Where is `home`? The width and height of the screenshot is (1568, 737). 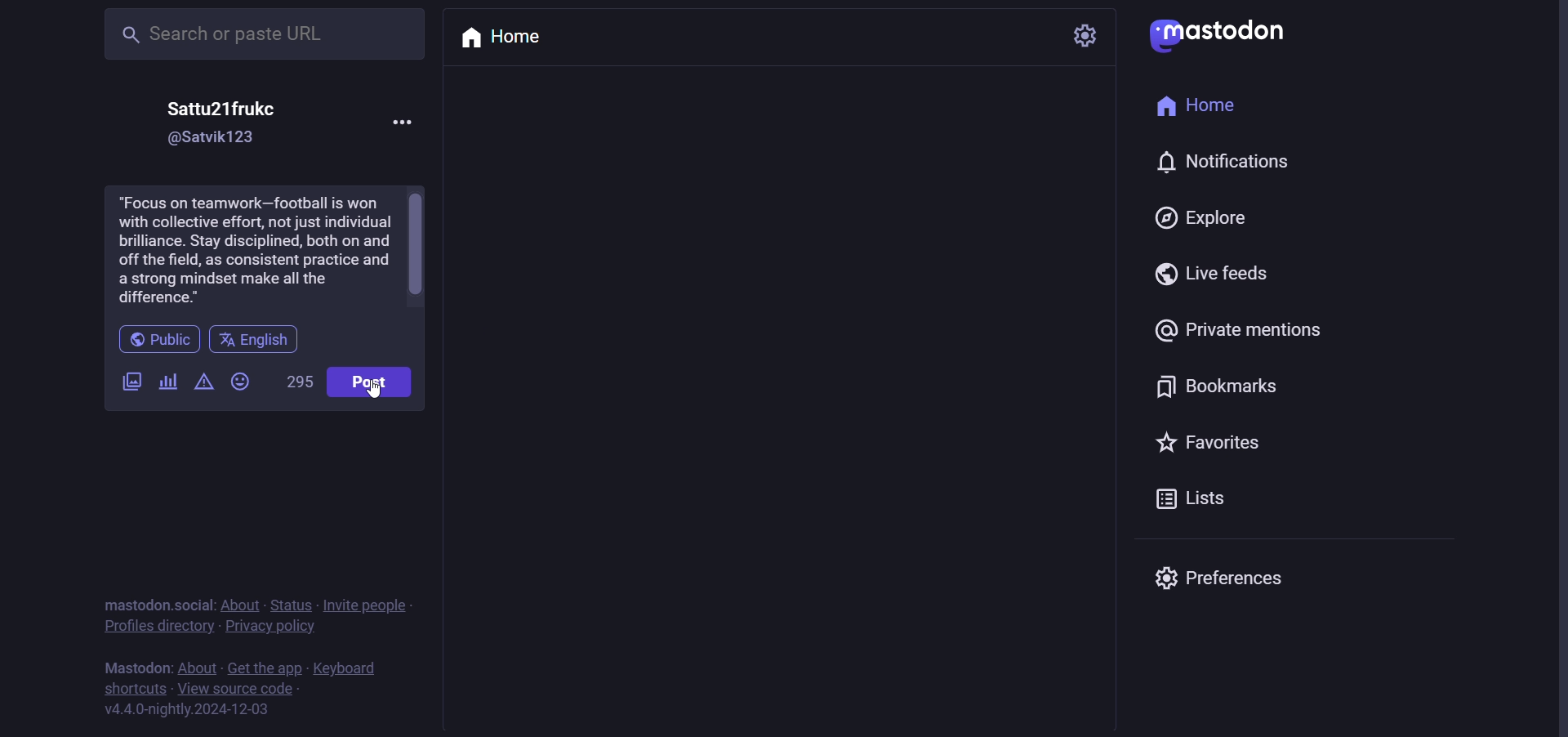 home is located at coordinates (499, 39).